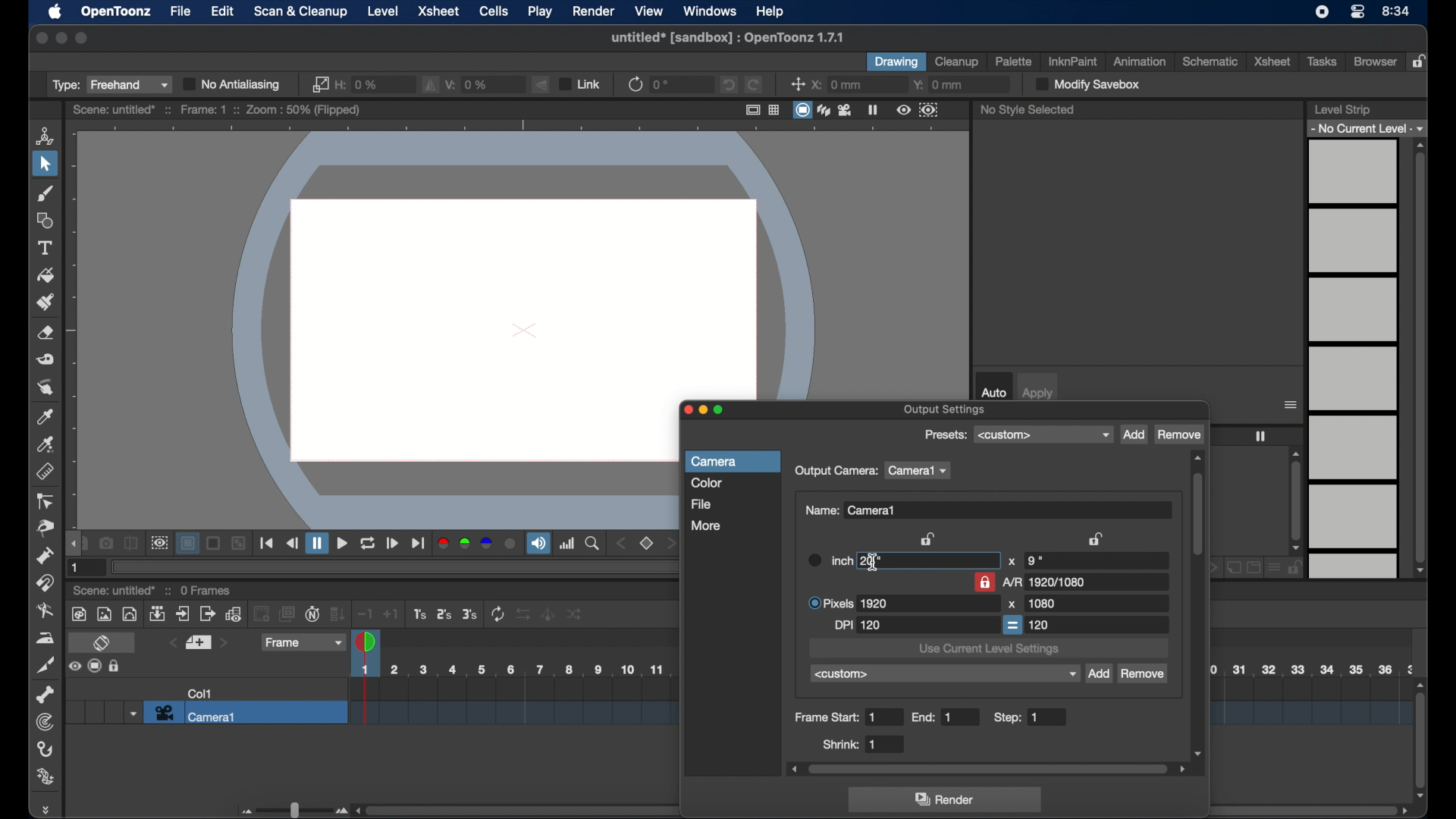 The width and height of the screenshot is (1456, 819). I want to click on , so click(417, 547).